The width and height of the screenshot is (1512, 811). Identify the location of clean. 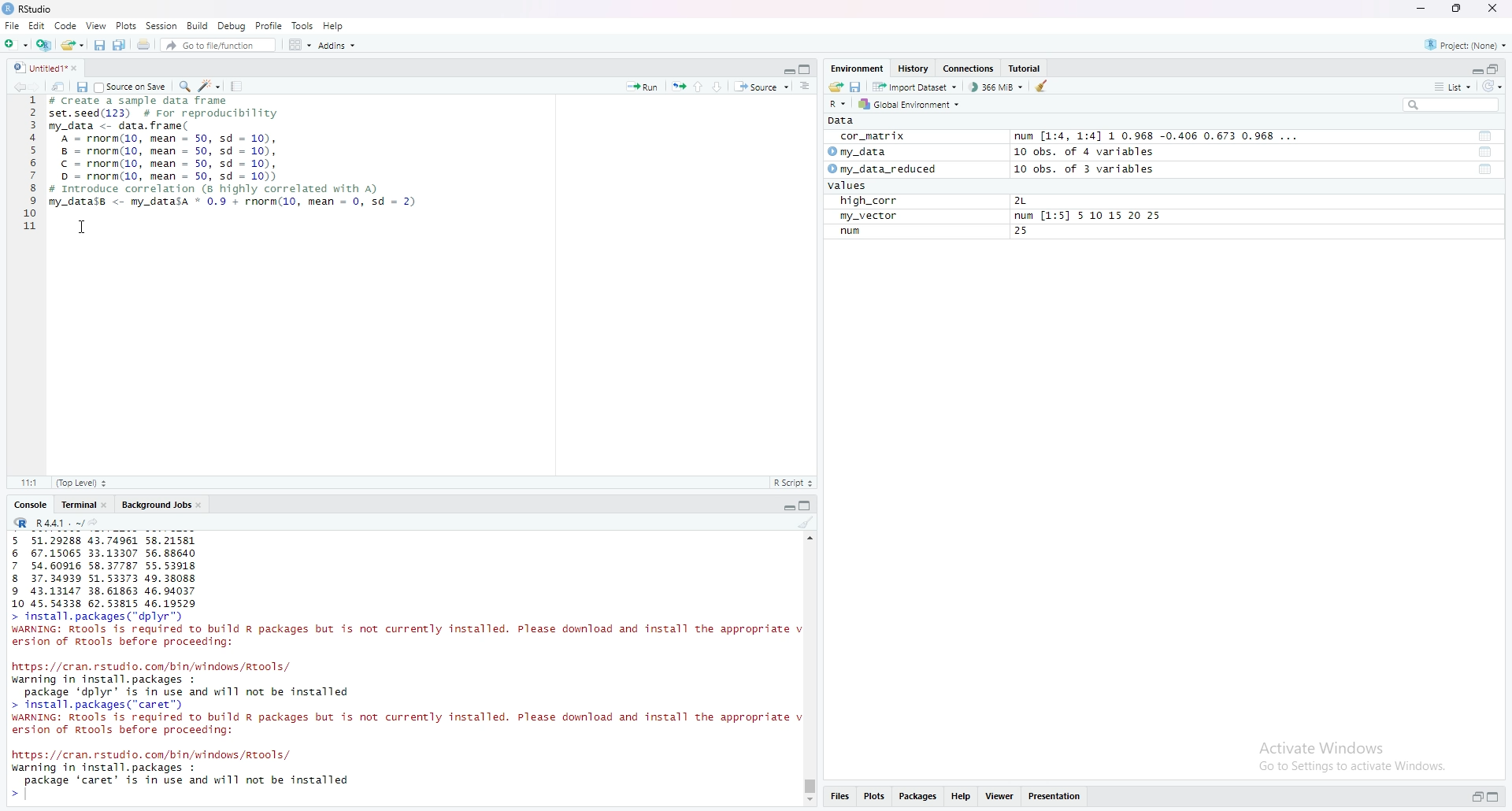
(806, 521).